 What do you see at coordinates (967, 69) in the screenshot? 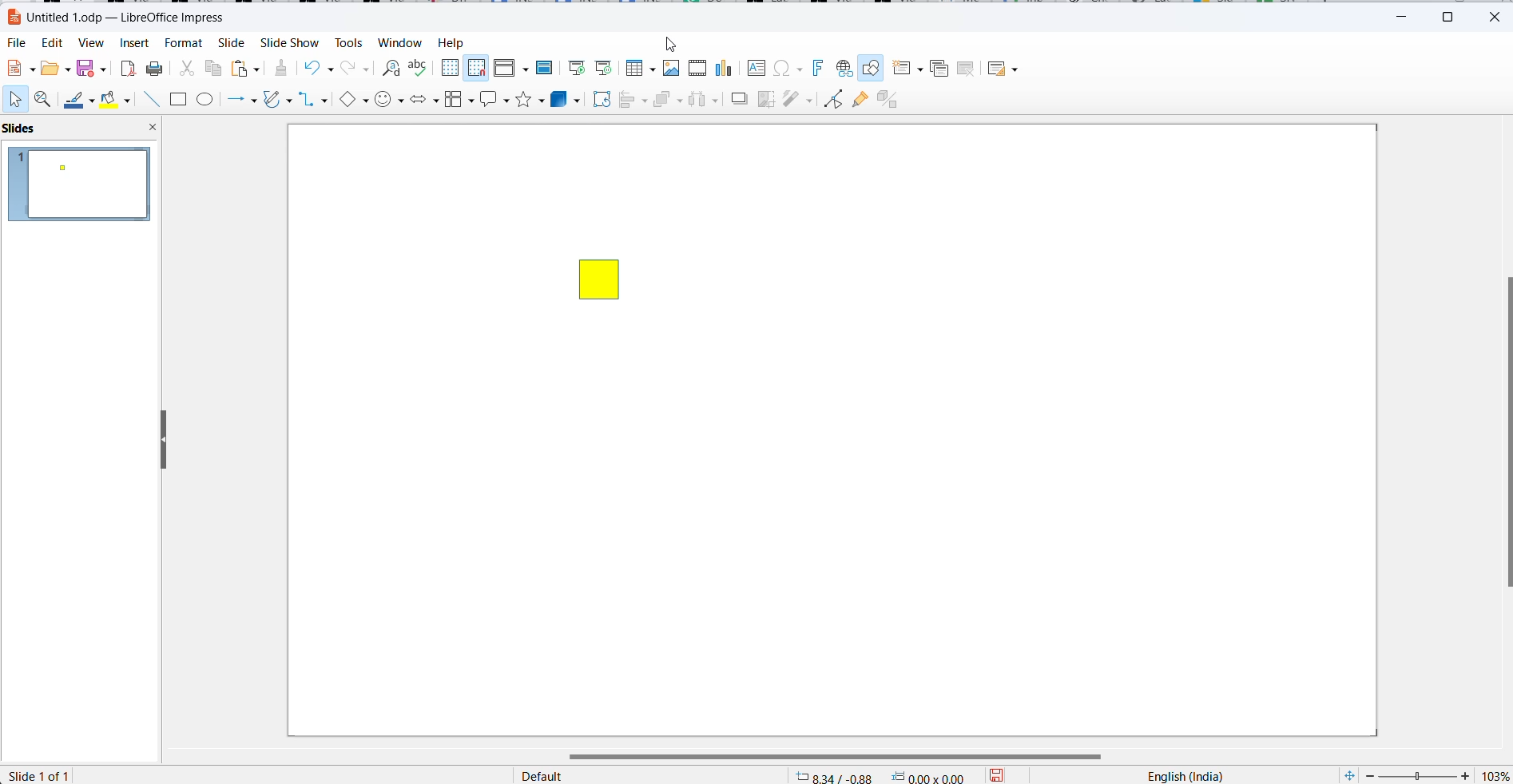
I see `Delete slide` at bounding box center [967, 69].